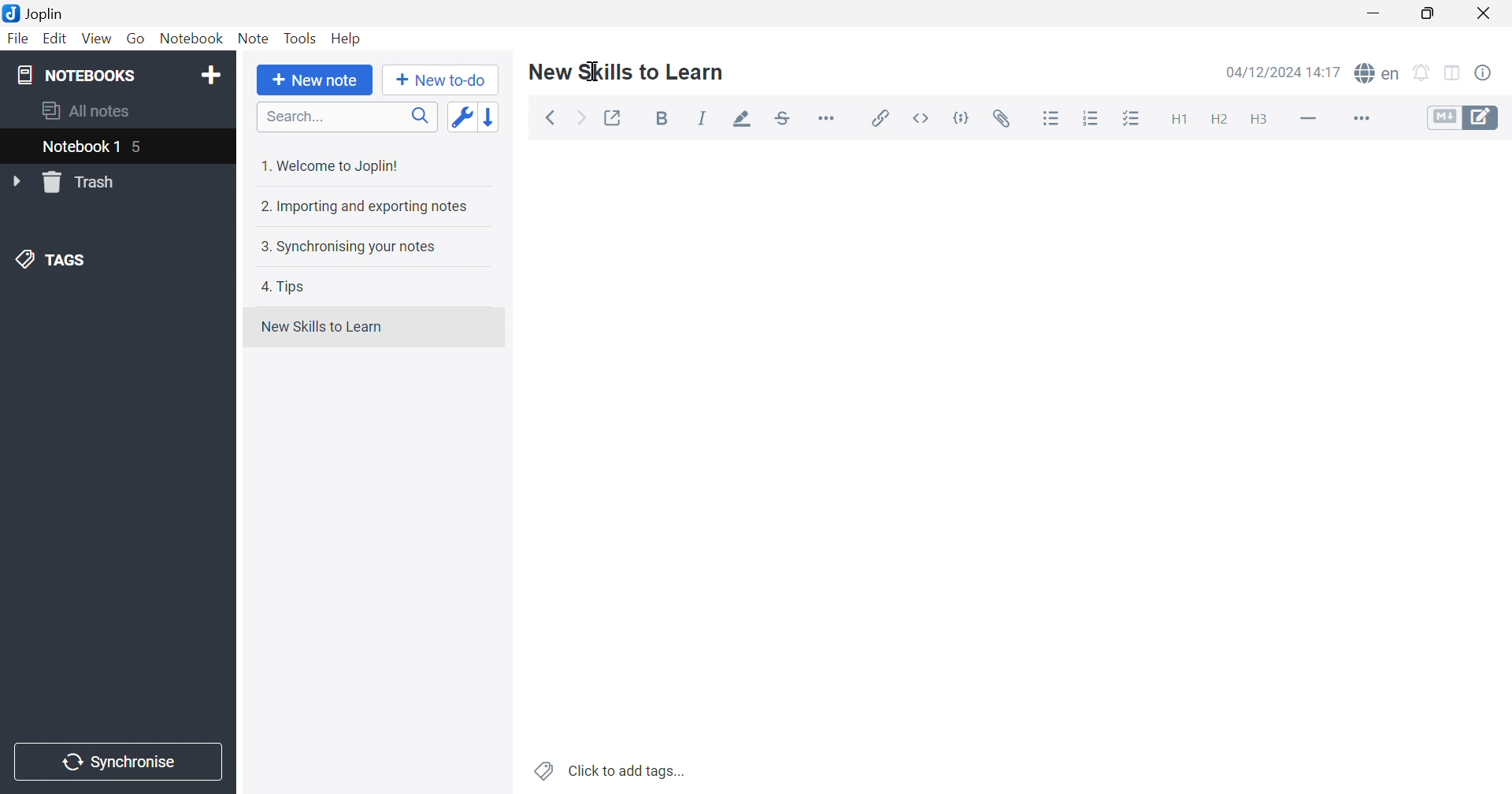  What do you see at coordinates (1002, 119) in the screenshot?
I see `Attach file` at bounding box center [1002, 119].